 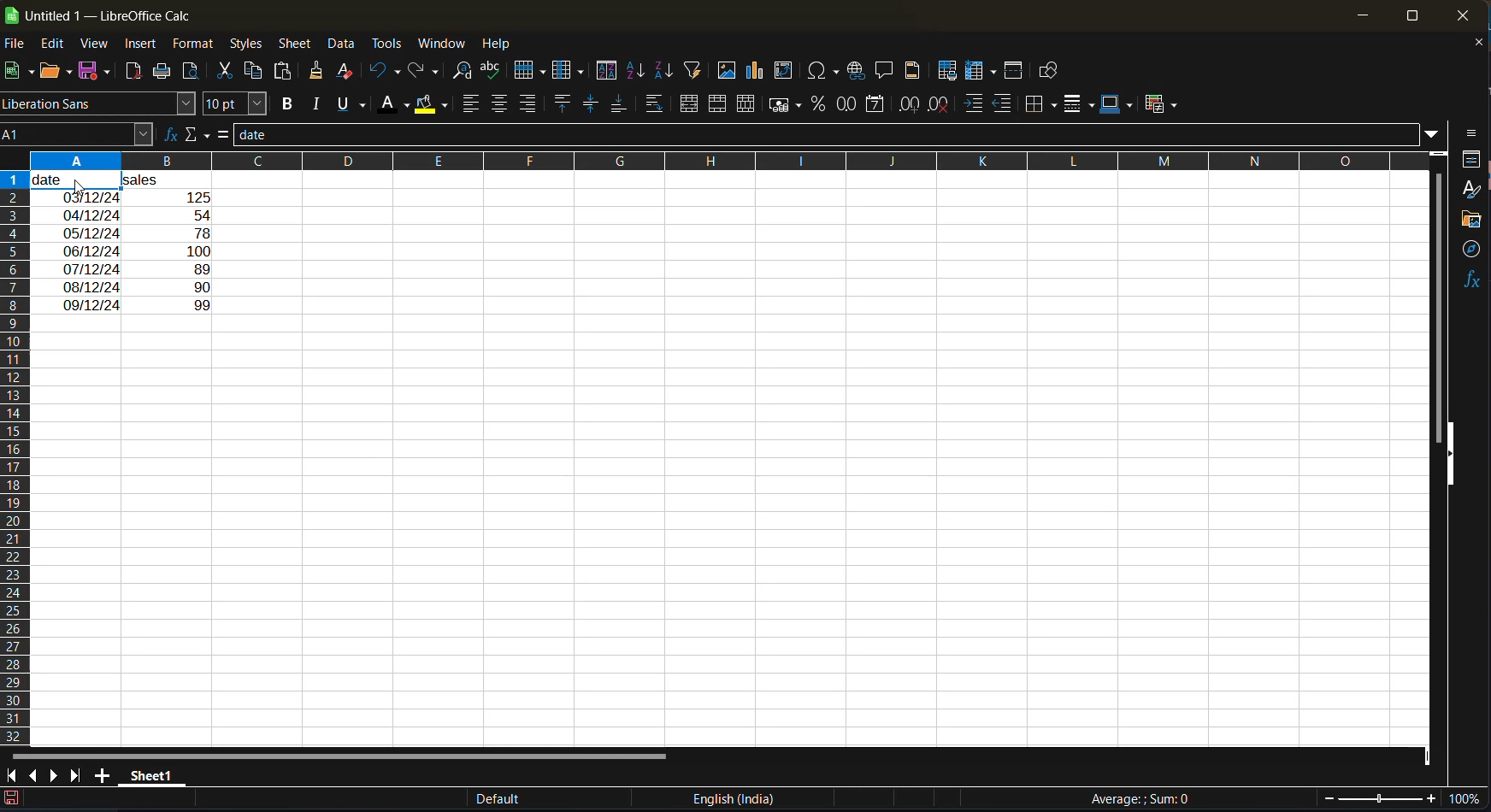 What do you see at coordinates (201, 181) in the screenshot?
I see `sales` at bounding box center [201, 181].